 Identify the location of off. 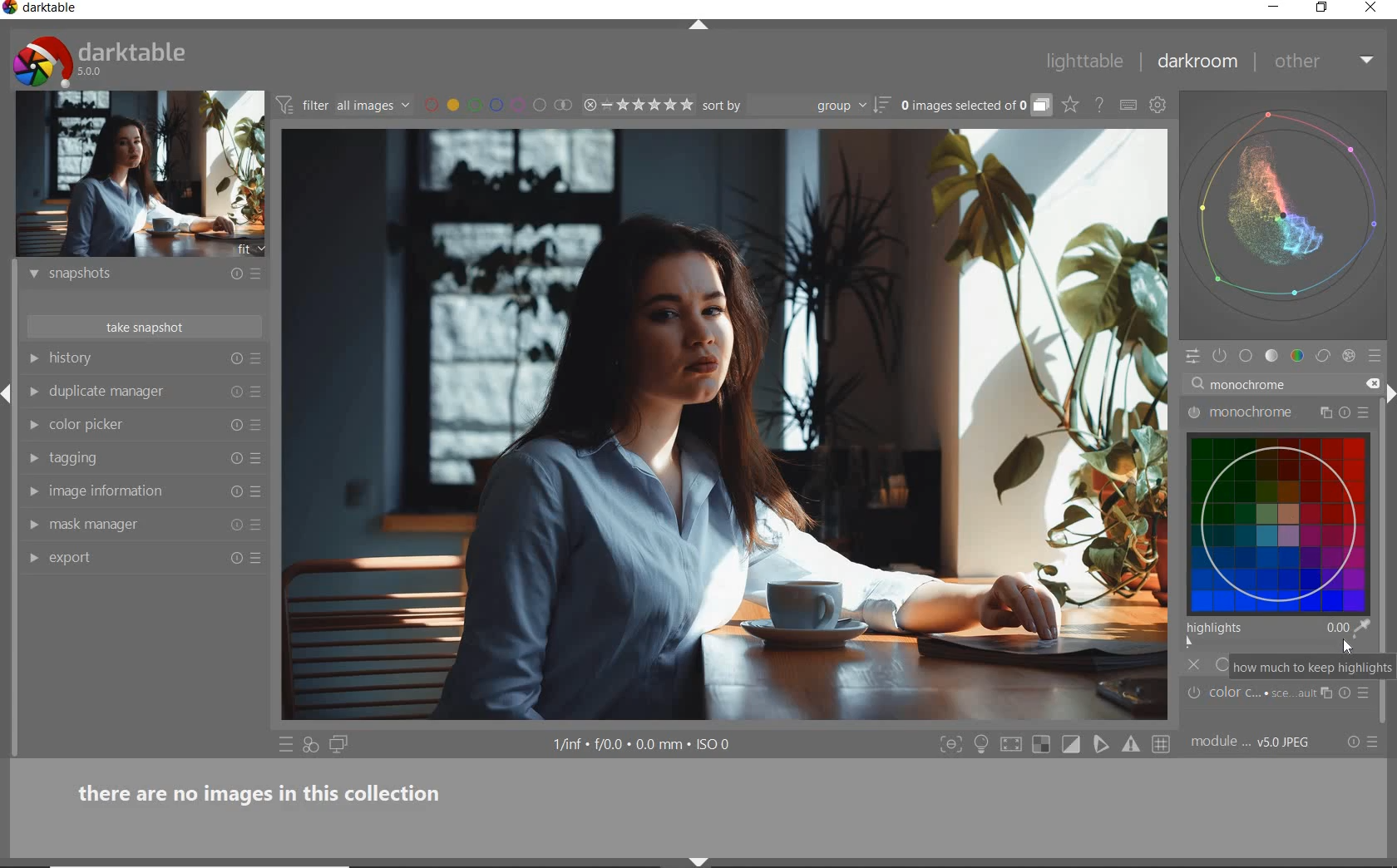
(1193, 664).